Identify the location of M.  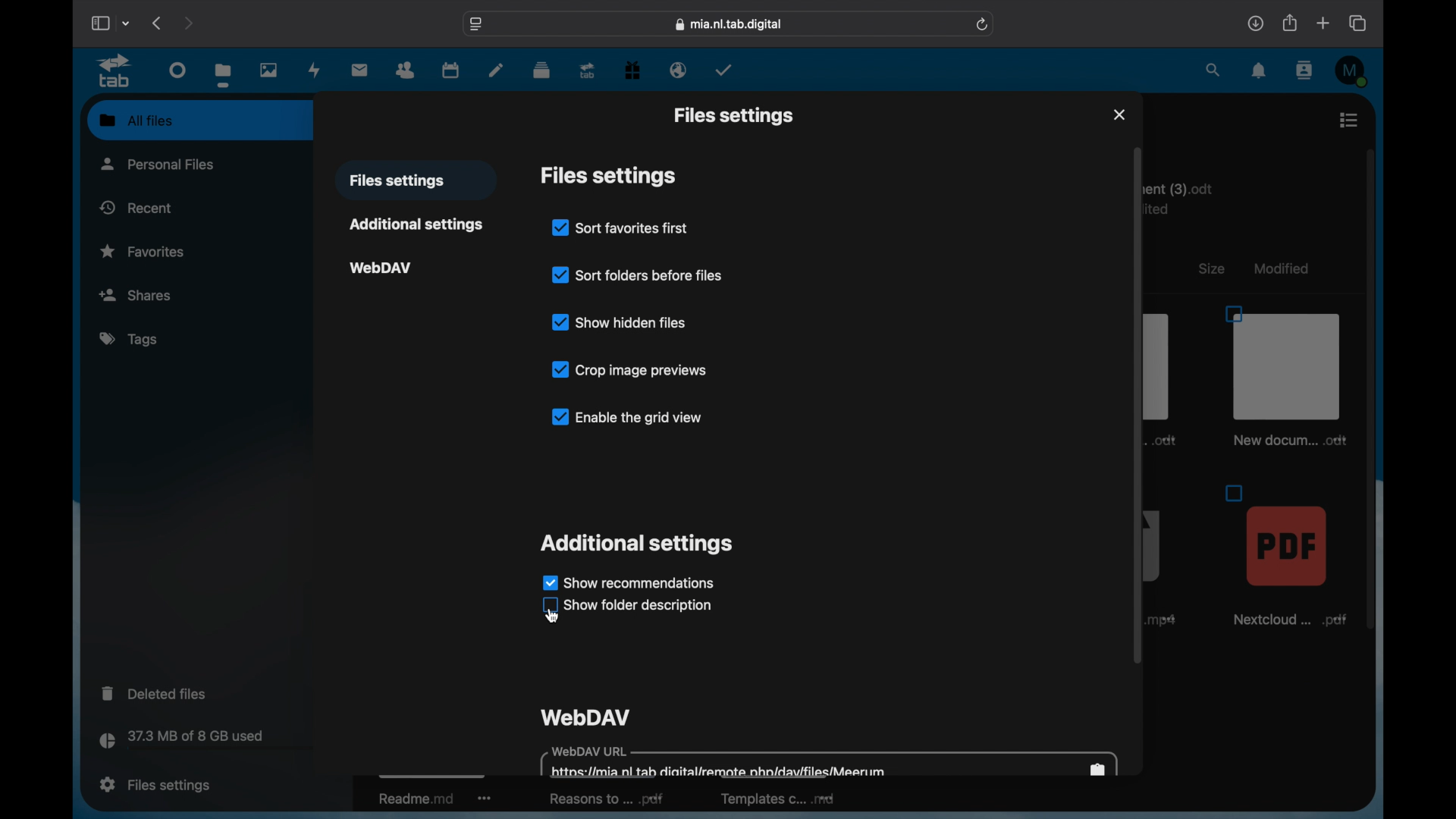
(1352, 71).